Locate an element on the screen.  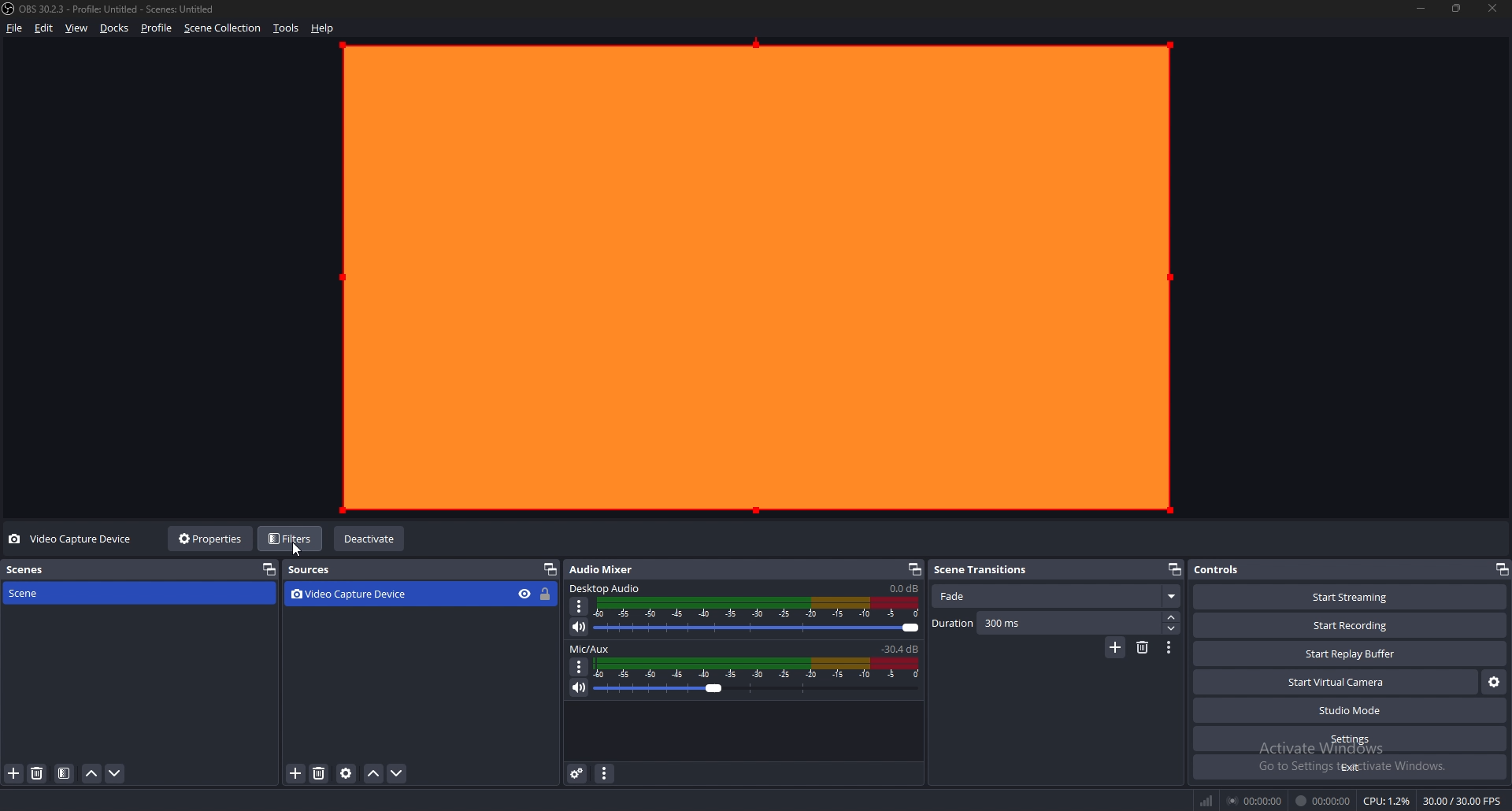
move scene up is located at coordinates (93, 774).